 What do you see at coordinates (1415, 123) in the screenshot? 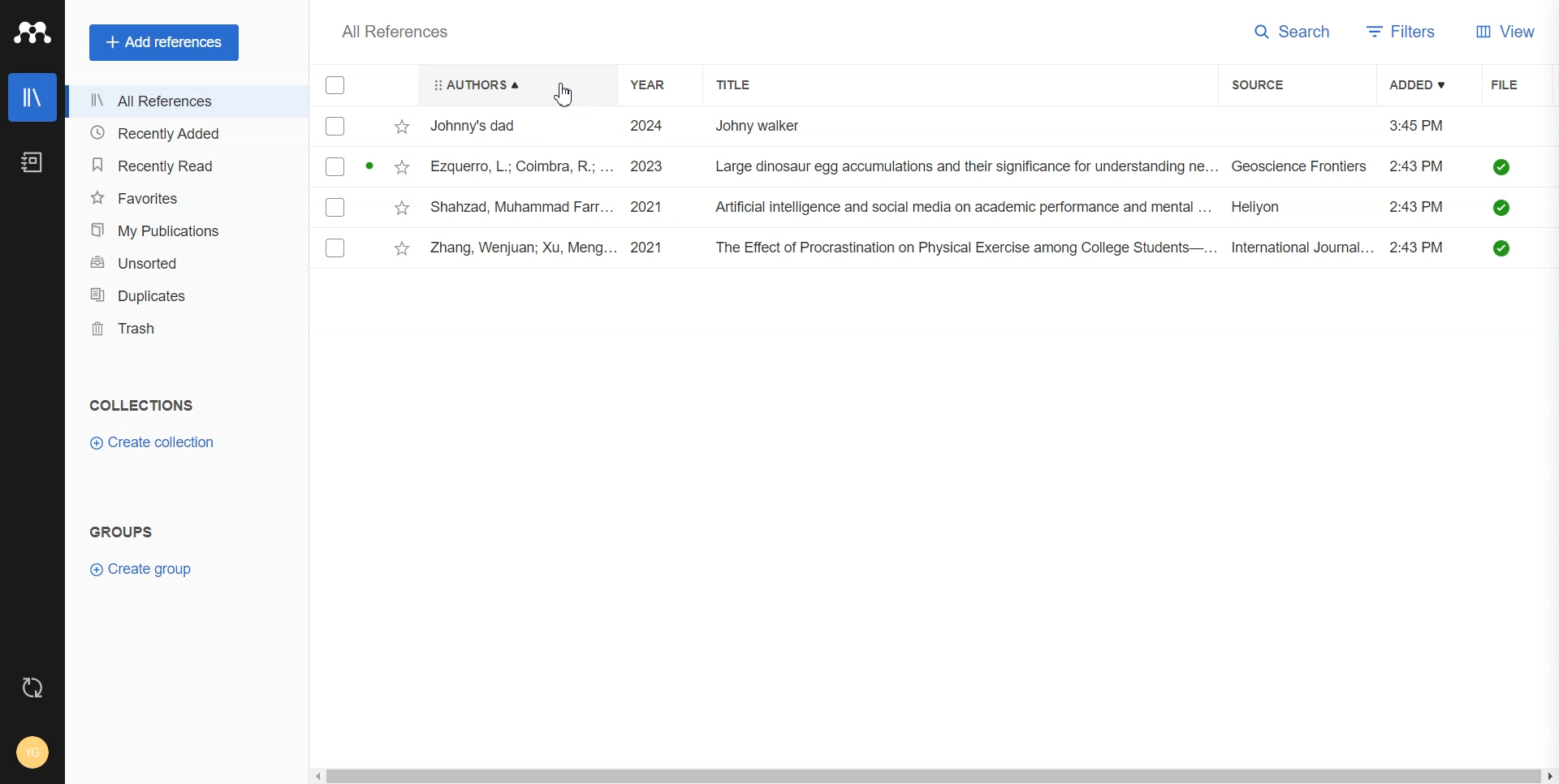
I see `3:45 PM` at bounding box center [1415, 123].